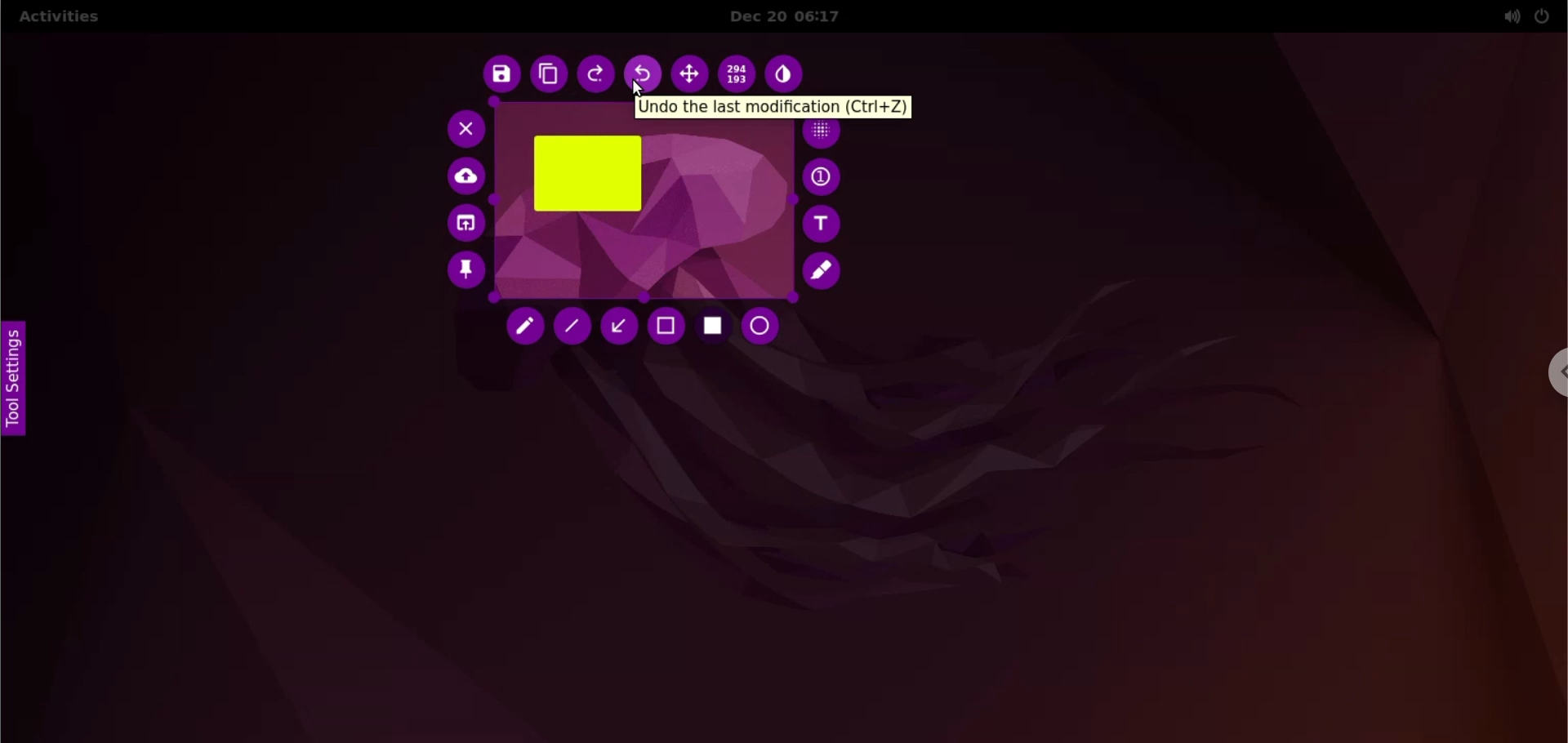  What do you see at coordinates (464, 225) in the screenshot?
I see `choose app to open` at bounding box center [464, 225].